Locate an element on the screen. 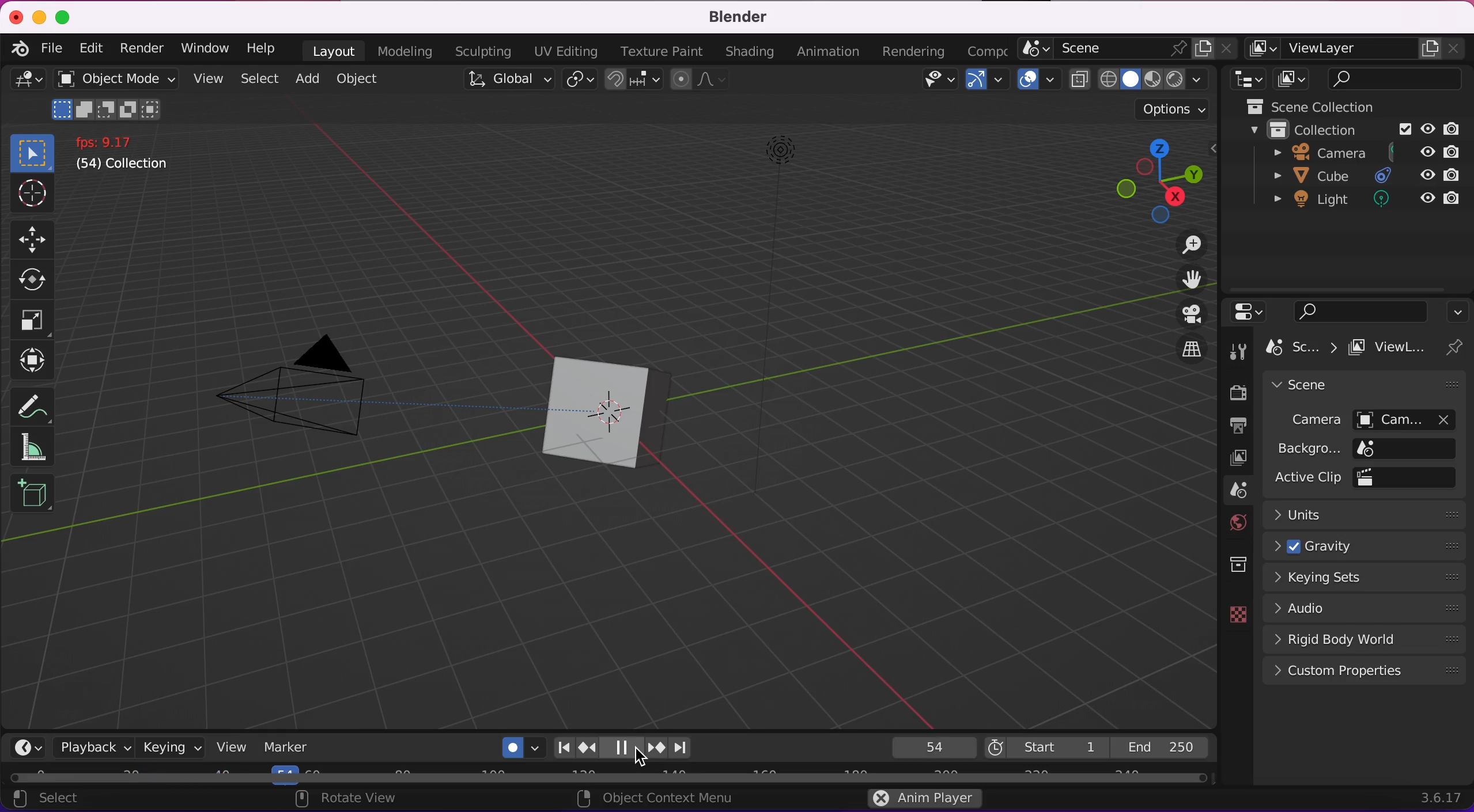 This screenshot has height=812, width=1474. window is located at coordinates (203, 49).